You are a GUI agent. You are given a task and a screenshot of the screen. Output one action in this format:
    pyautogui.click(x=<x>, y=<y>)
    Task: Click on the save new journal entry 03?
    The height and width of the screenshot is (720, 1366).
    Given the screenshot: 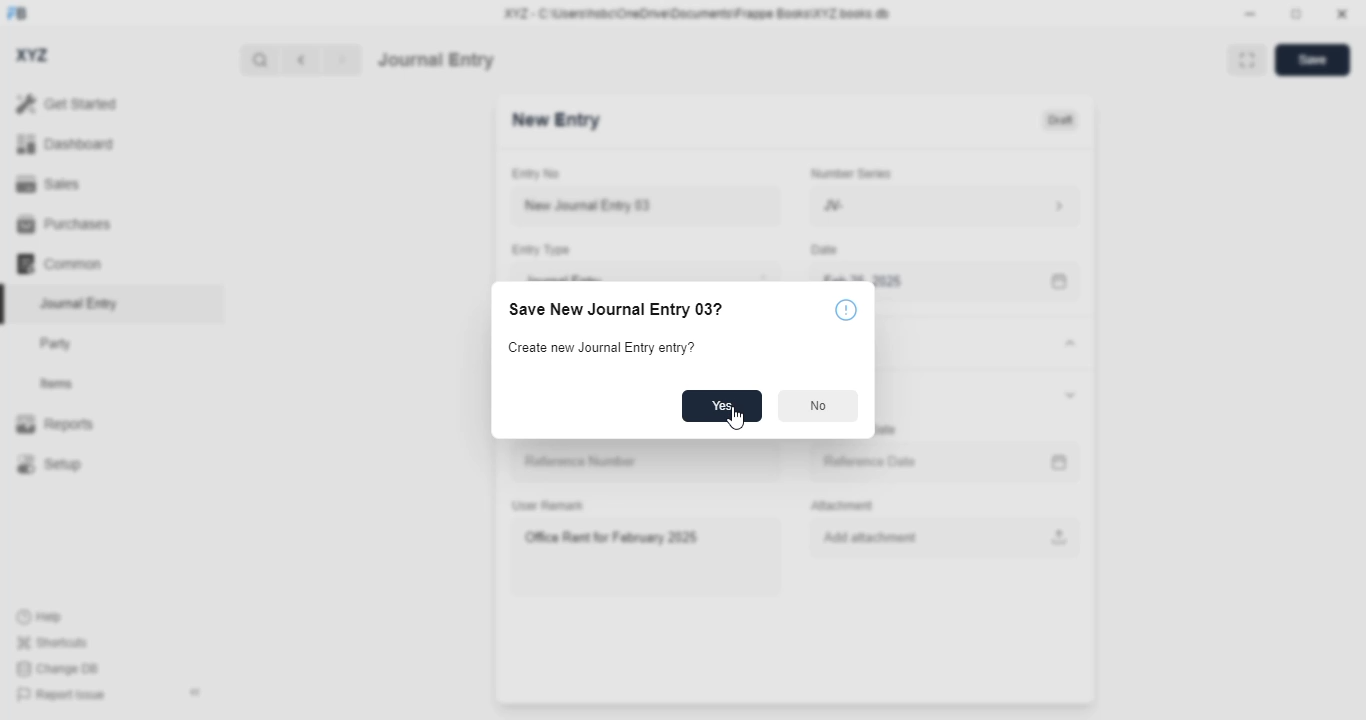 What is the action you would take?
    pyautogui.click(x=616, y=309)
    